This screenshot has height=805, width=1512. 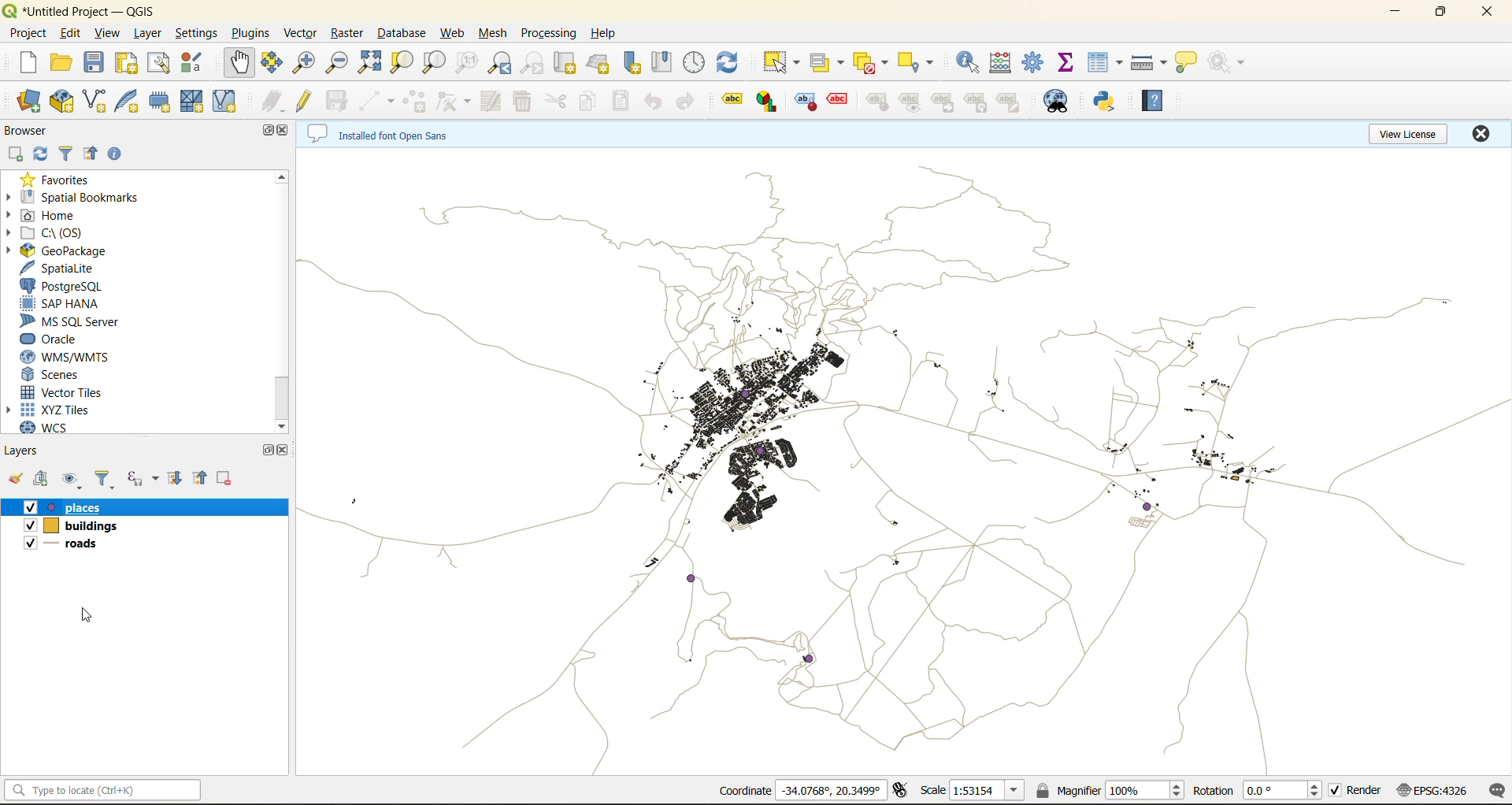 I want to click on layers, so click(x=23, y=450).